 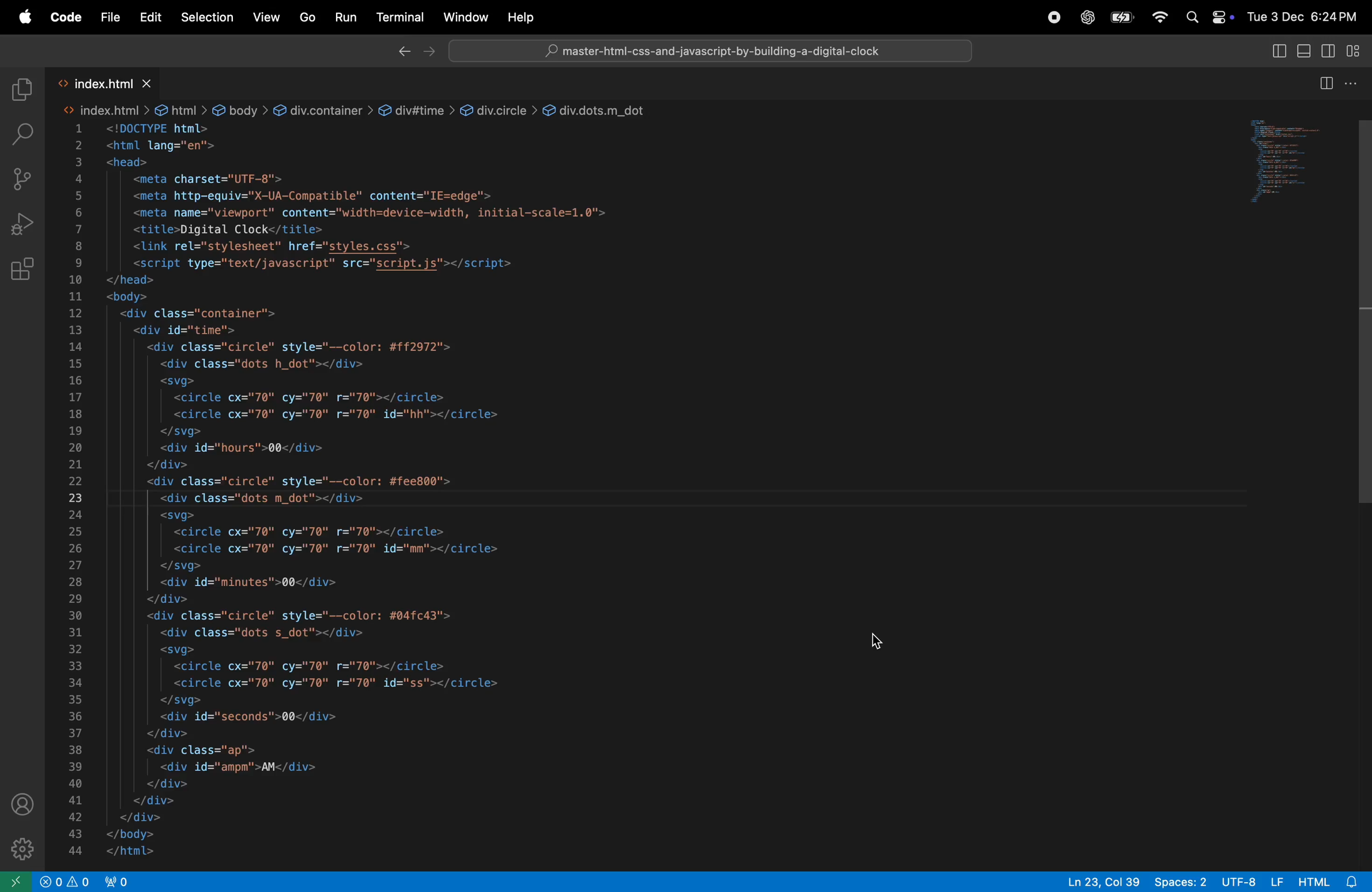 I want to click on new port, so click(x=123, y=880).